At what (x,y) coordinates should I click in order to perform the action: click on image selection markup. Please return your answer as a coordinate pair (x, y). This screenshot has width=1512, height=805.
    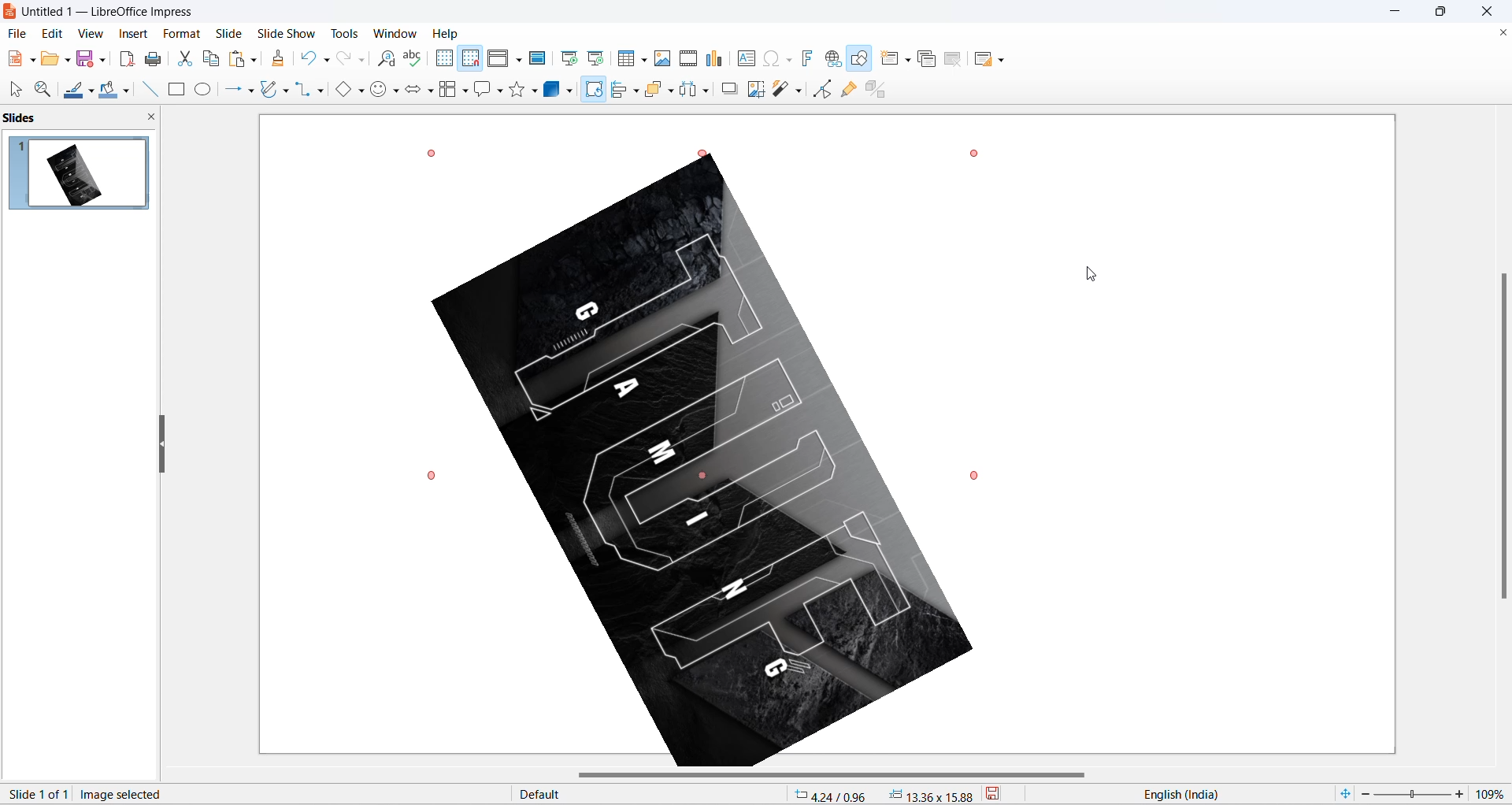
    Looking at the image, I should click on (974, 473).